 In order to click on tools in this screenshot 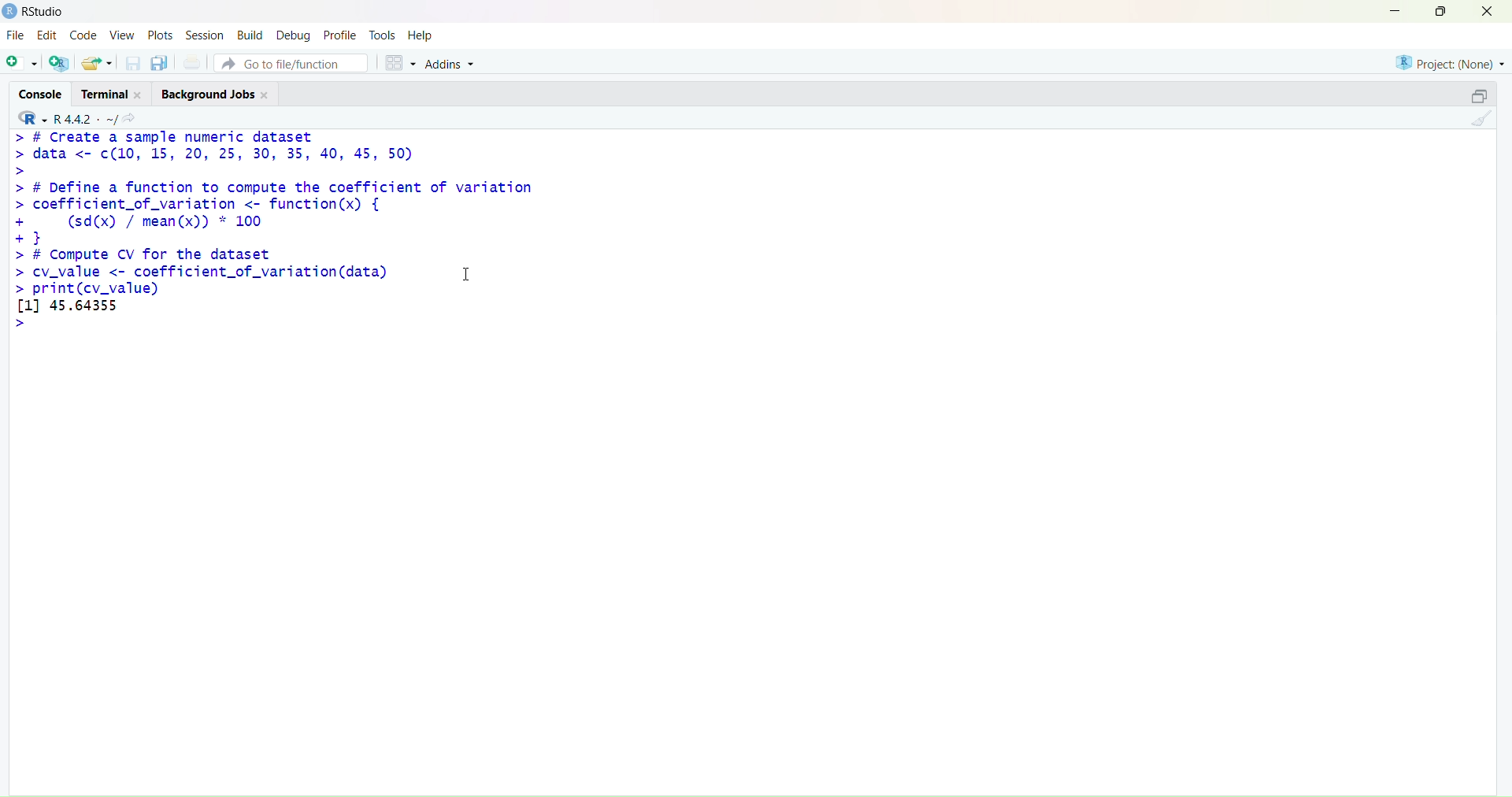, I will do `click(384, 34)`.